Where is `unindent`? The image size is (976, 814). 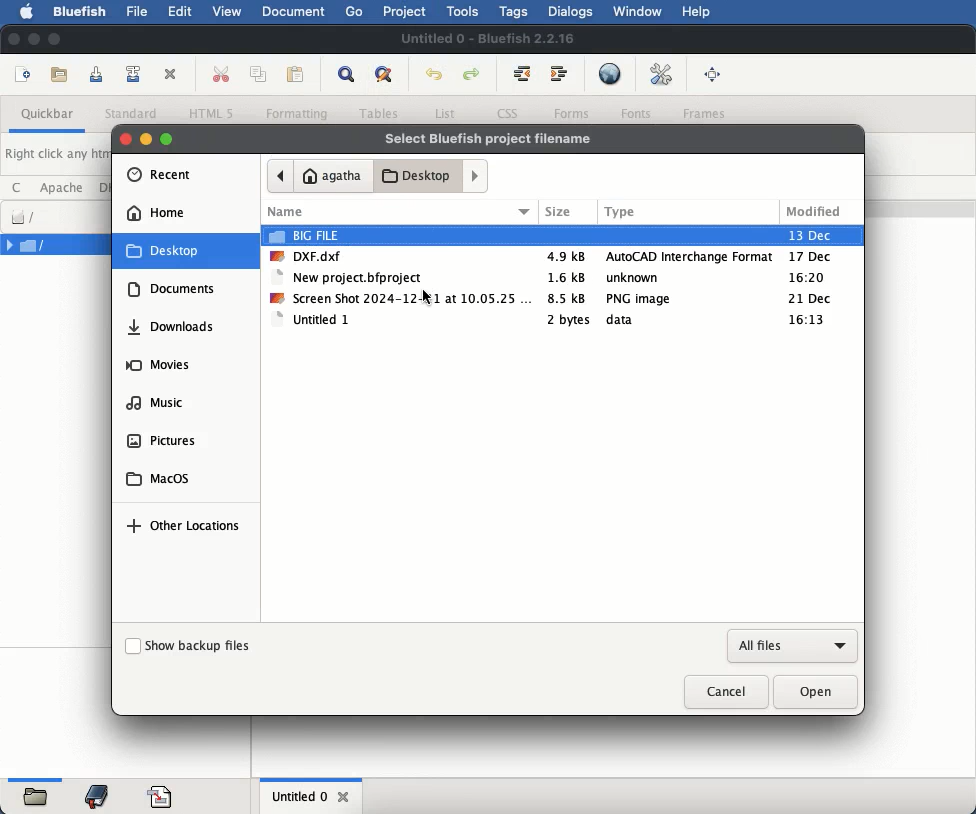
unindent is located at coordinates (523, 73).